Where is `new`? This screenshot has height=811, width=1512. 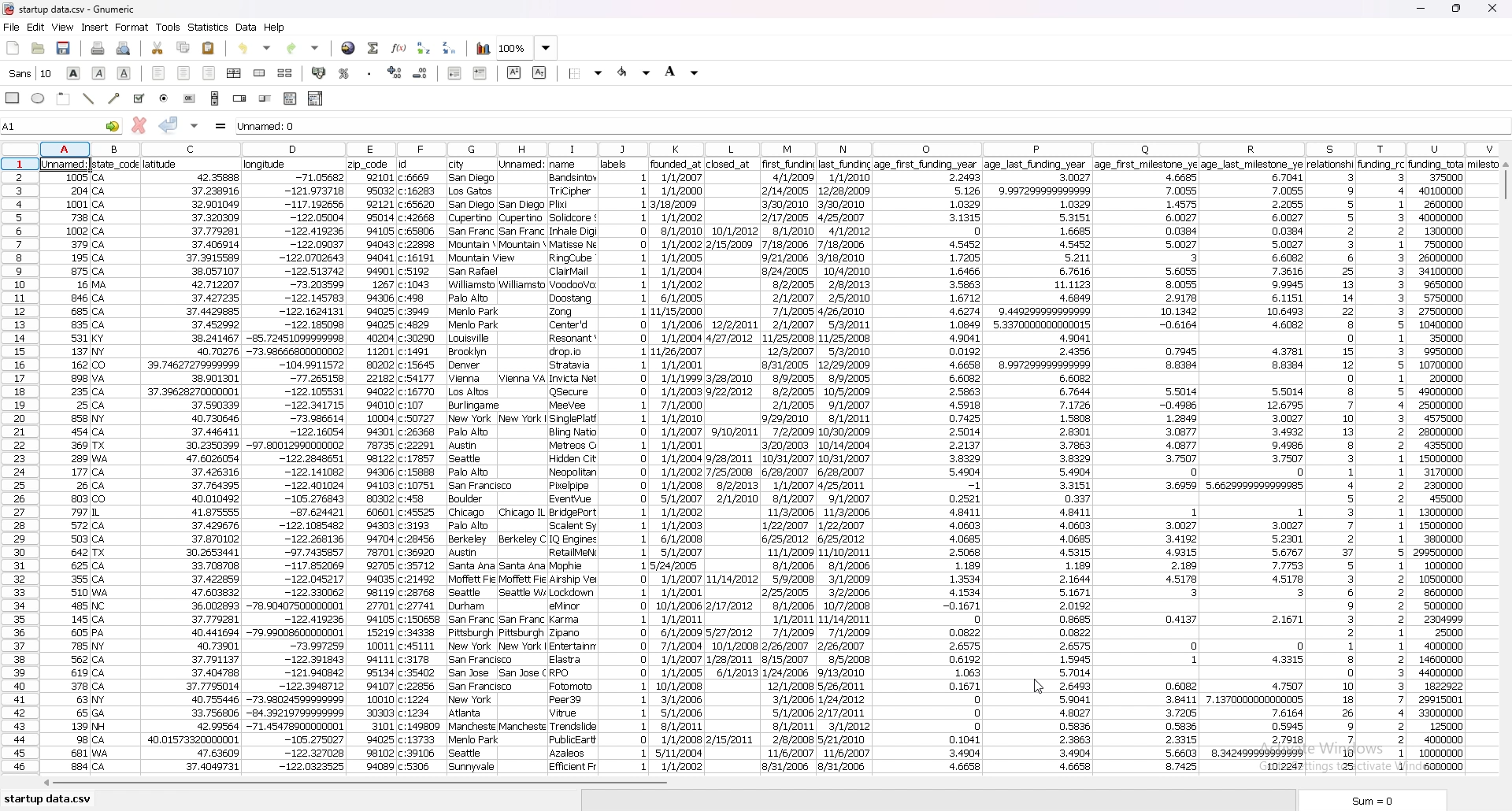 new is located at coordinates (13, 49).